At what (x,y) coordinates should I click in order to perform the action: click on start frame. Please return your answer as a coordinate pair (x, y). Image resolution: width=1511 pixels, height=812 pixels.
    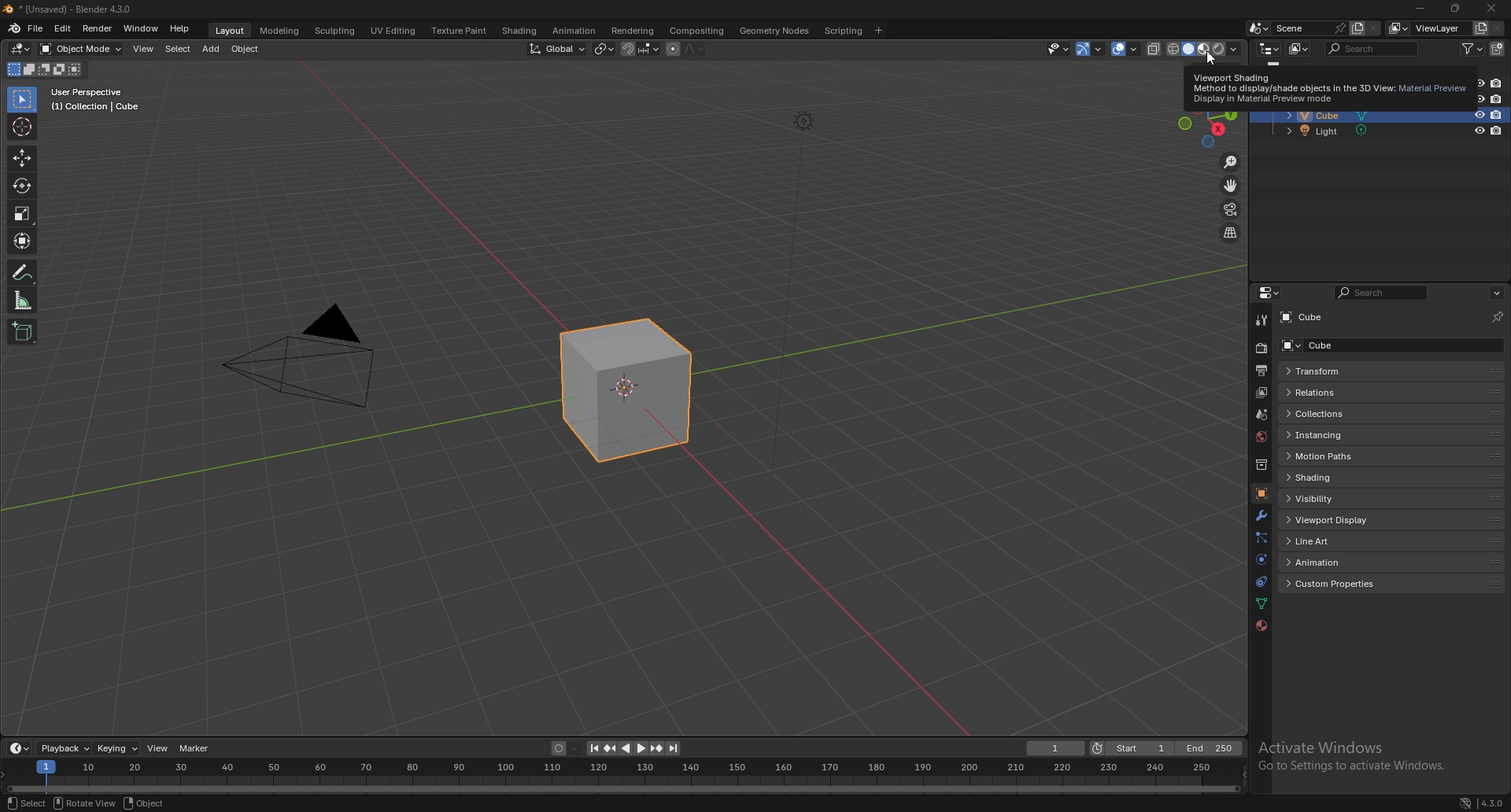
    Looking at the image, I should click on (1133, 748).